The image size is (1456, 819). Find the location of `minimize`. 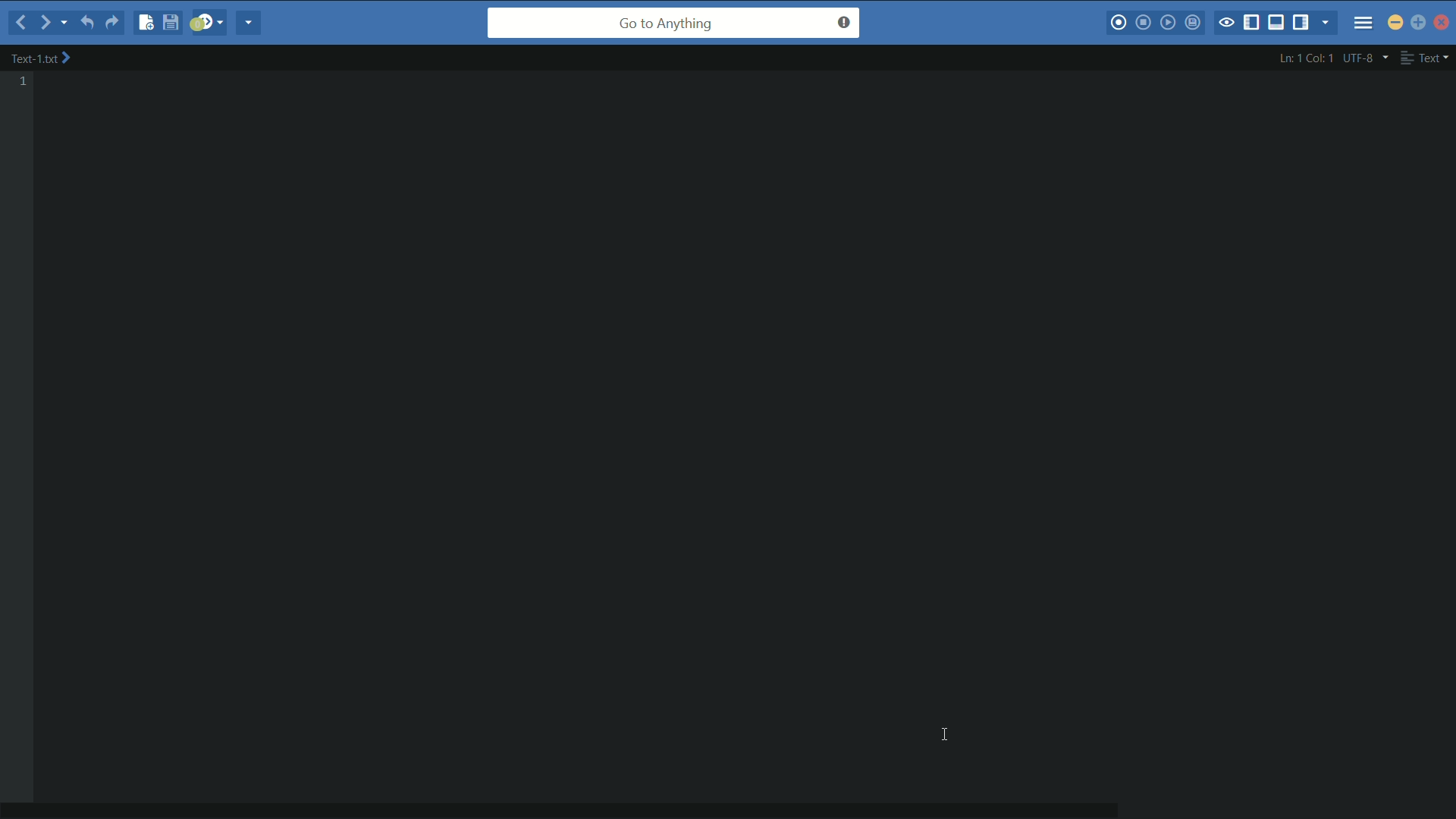

minimize is located at coordinates (1394, 22).